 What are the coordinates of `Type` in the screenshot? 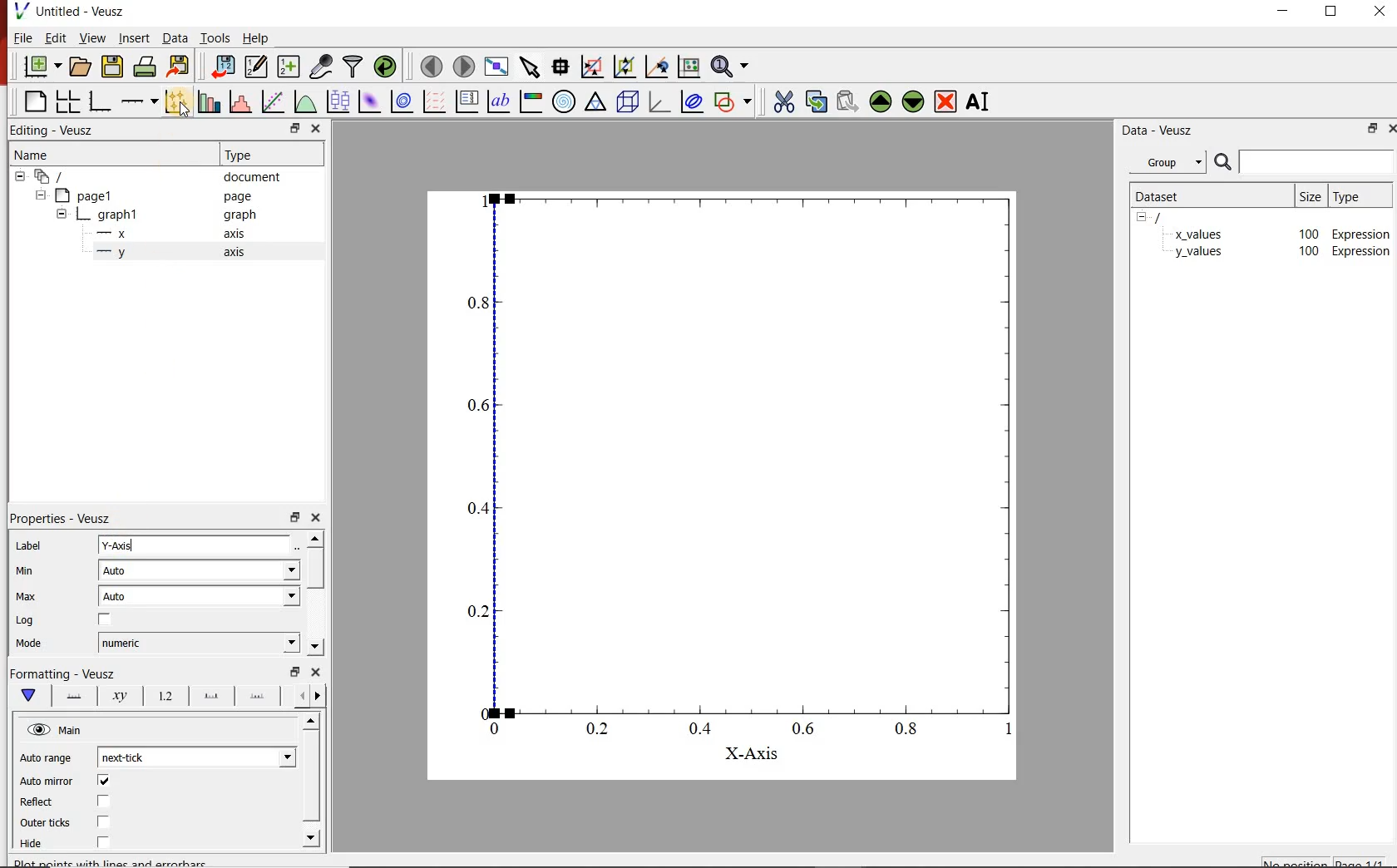 It's located at (250, 155).